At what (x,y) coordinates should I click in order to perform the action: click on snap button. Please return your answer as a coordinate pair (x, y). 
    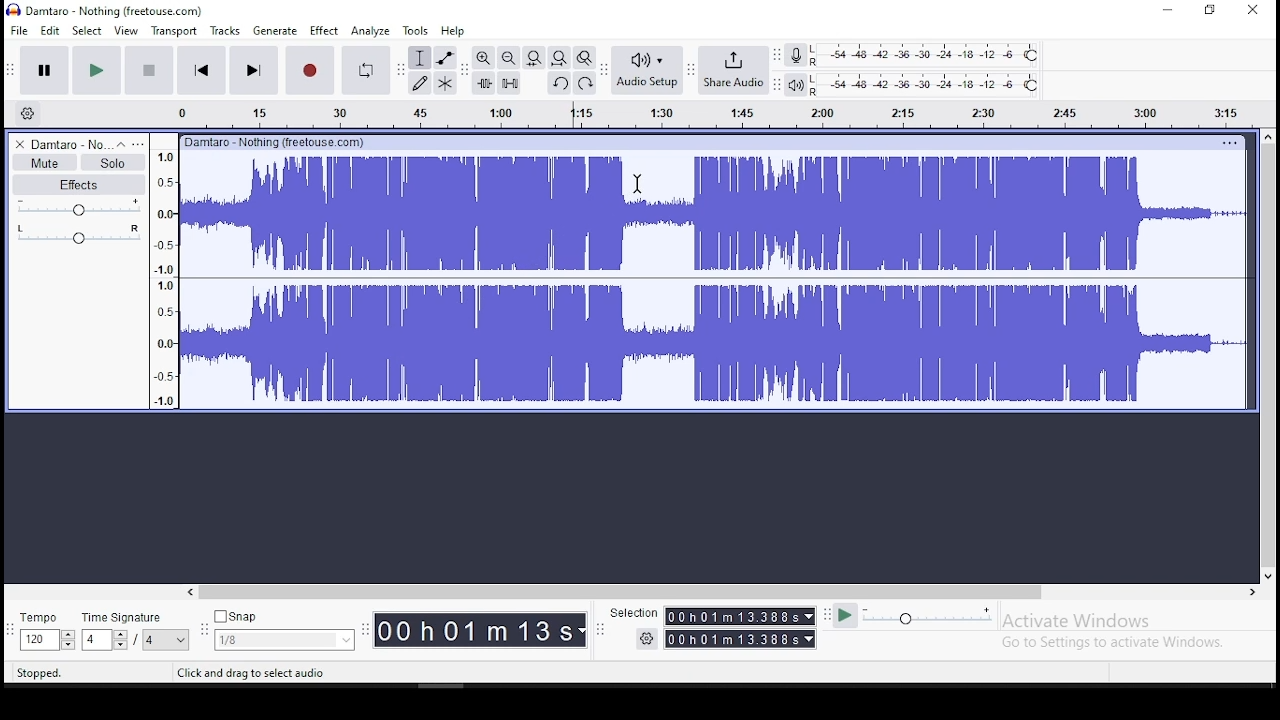
    Looking at the image, I should click on (235, 616).